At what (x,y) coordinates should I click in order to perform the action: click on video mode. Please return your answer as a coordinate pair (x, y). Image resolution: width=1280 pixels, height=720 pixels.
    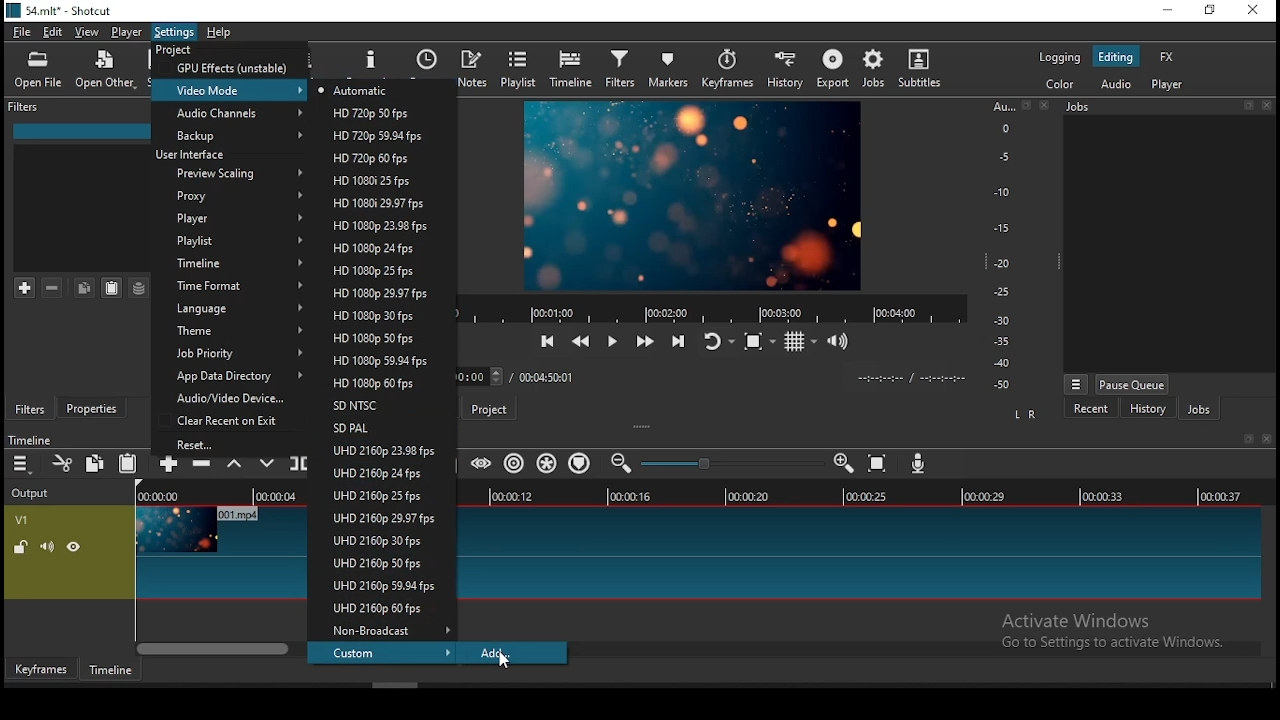
    Looking at the image, I should click on (231, 89).